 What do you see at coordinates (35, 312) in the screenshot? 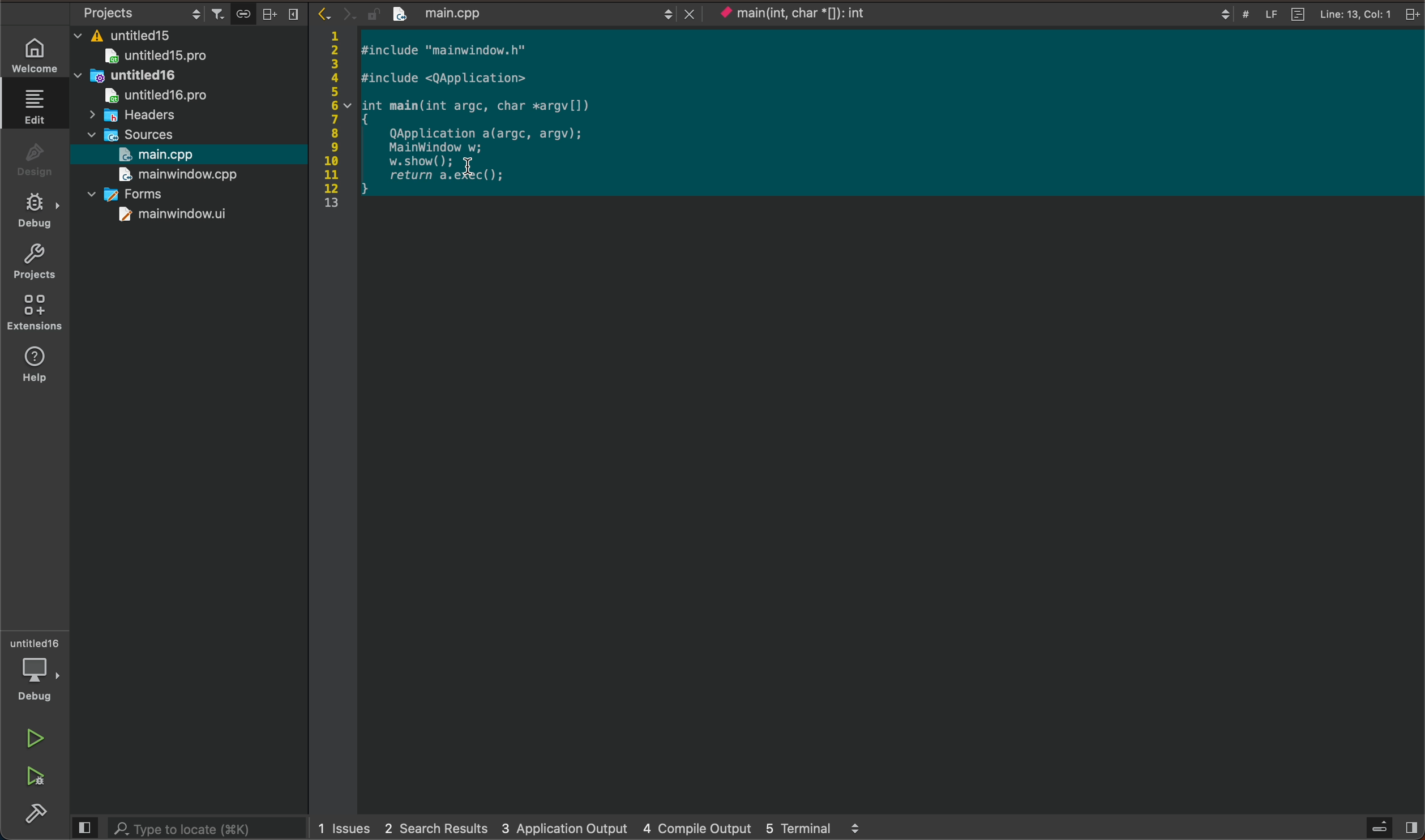
I see `extensions` at bounding box center [35, 312].